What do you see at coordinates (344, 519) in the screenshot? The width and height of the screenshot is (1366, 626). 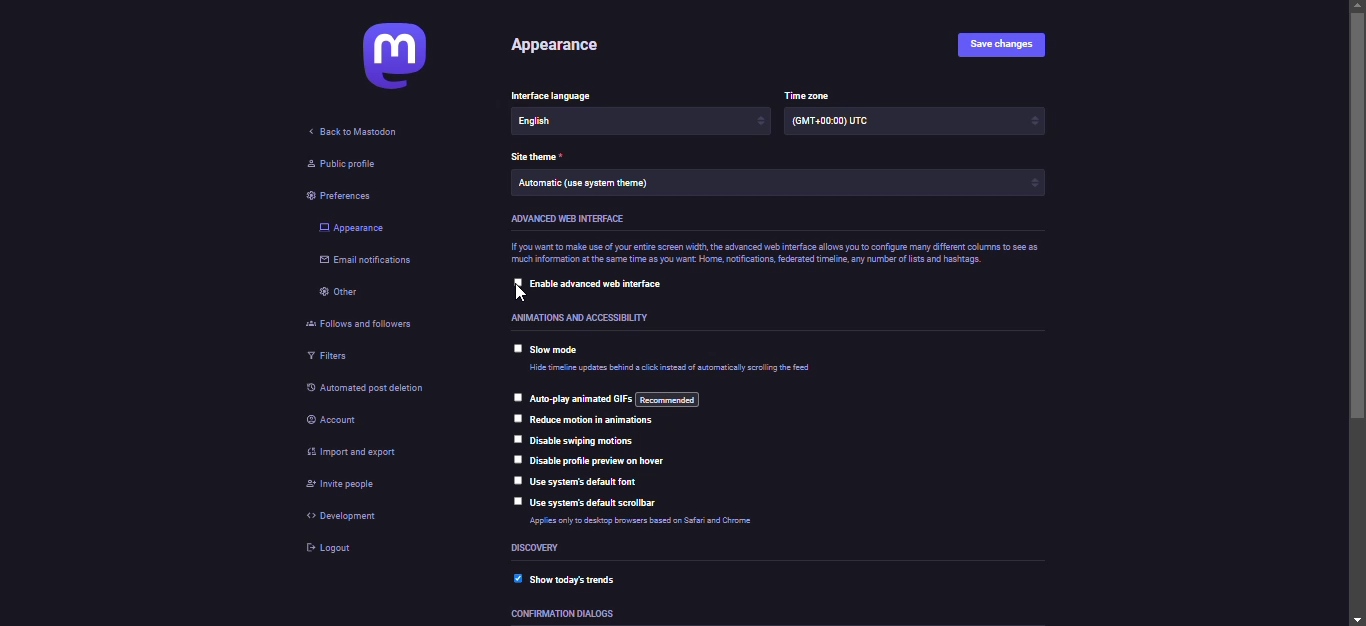 I see `development` at bounding box center [344, 519].